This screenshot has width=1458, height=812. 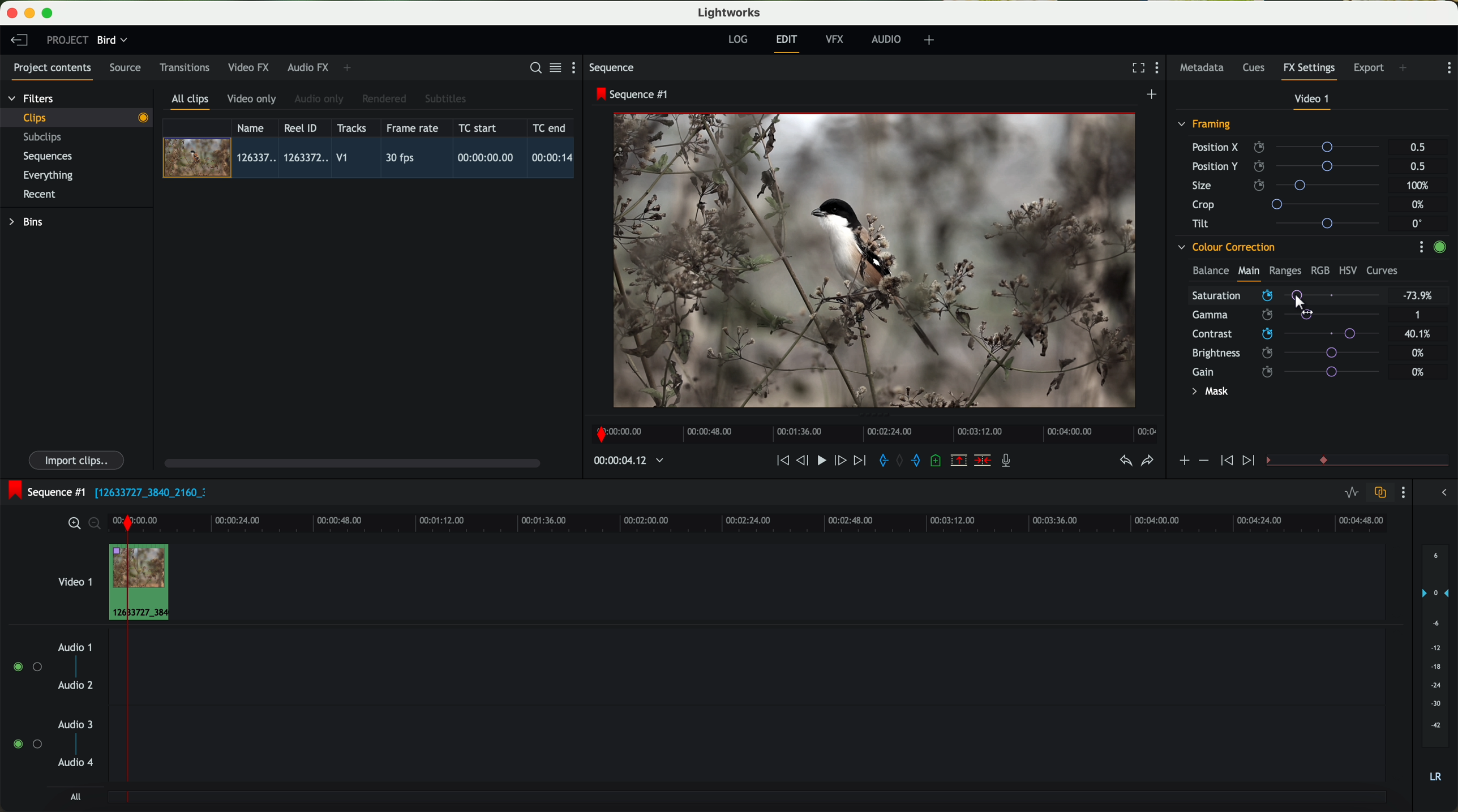 What do you see at coordinates (532, 68) in the screenshot?
I see `search for assets or bins` at bounding box center [532, 68].